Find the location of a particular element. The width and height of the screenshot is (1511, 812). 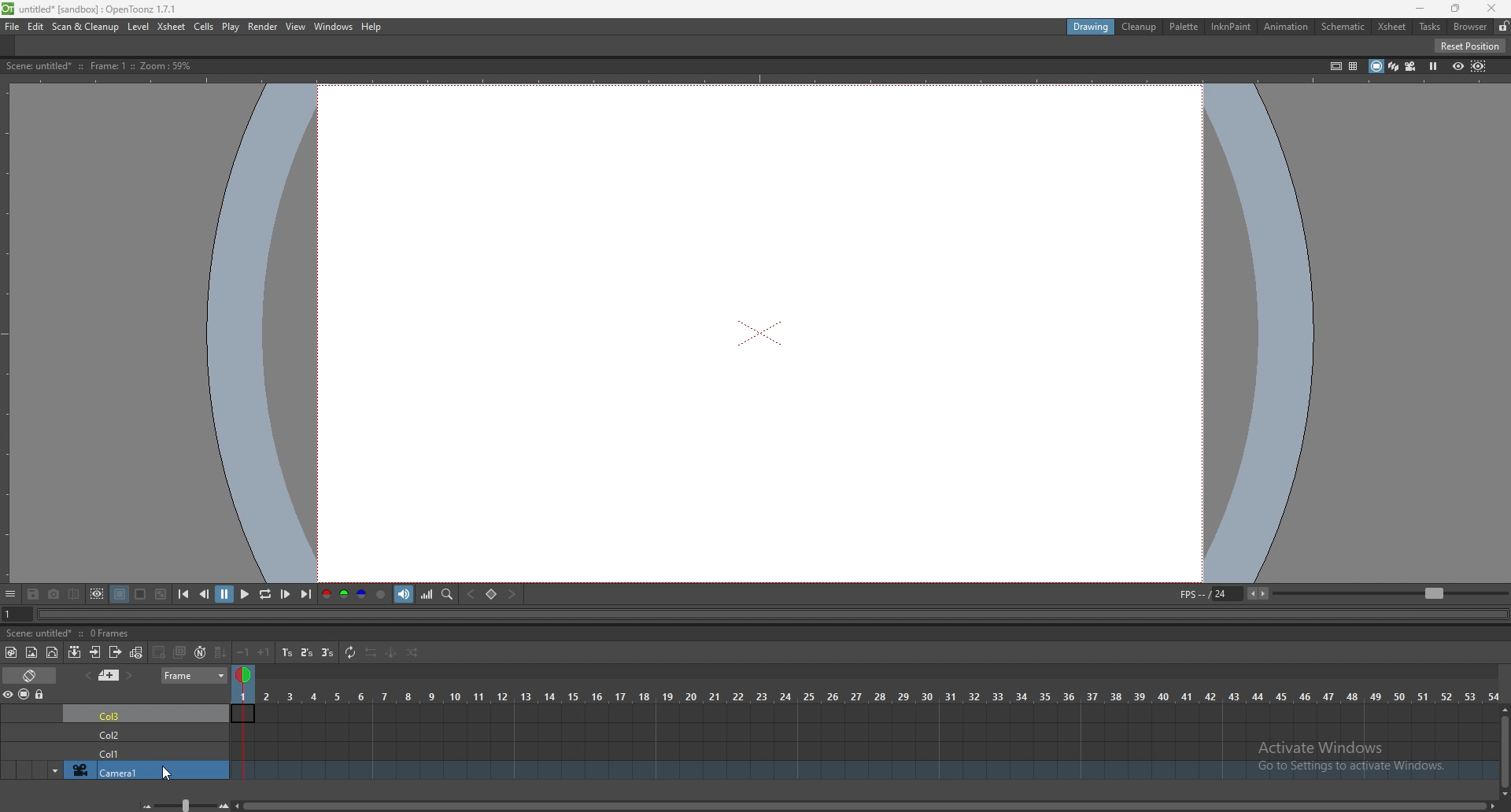

previous memo is located at coordinates (88, 675).